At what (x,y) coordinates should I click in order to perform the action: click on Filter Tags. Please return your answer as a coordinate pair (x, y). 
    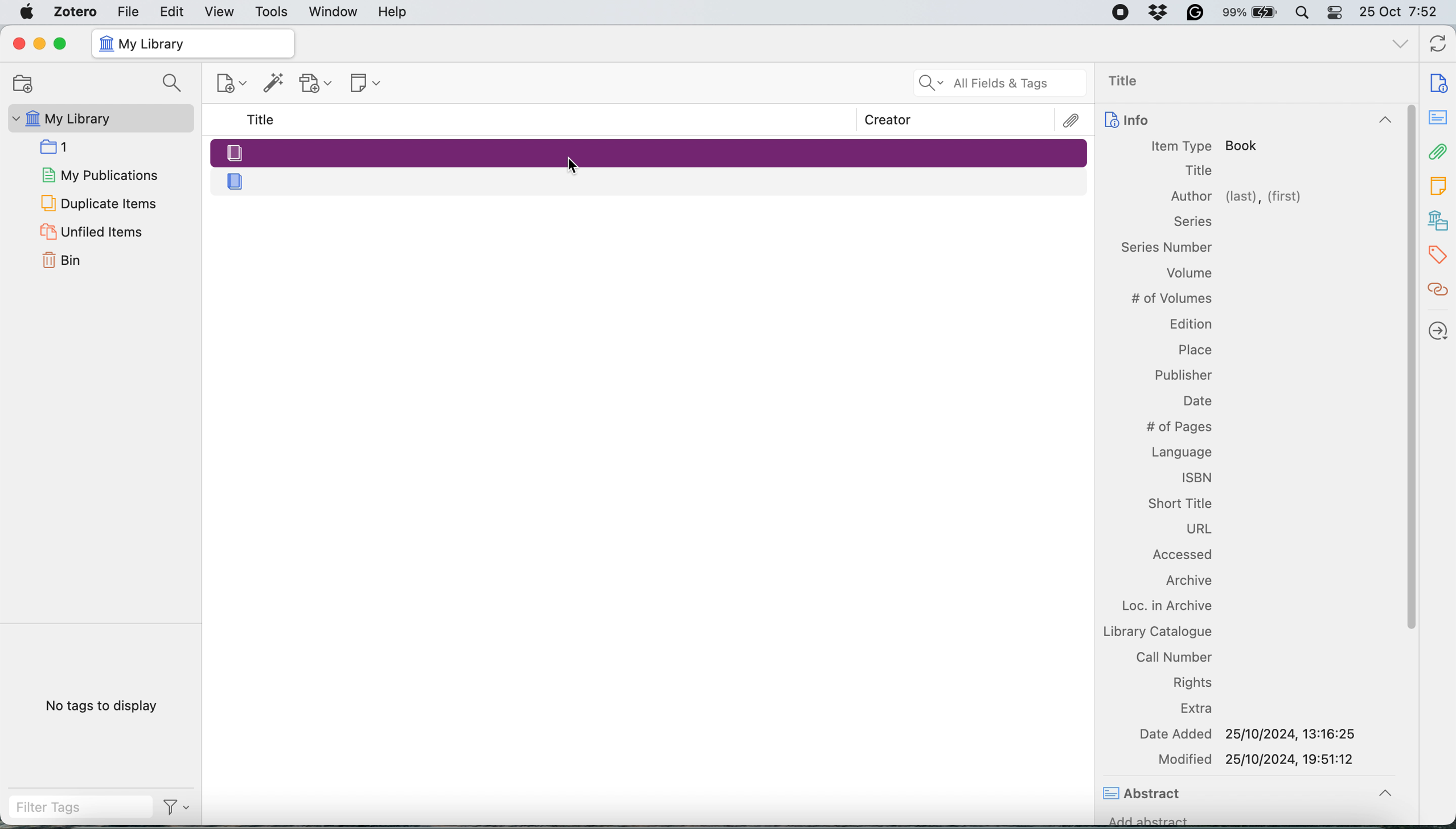
    Looking at the image, I should click on (80, 807).